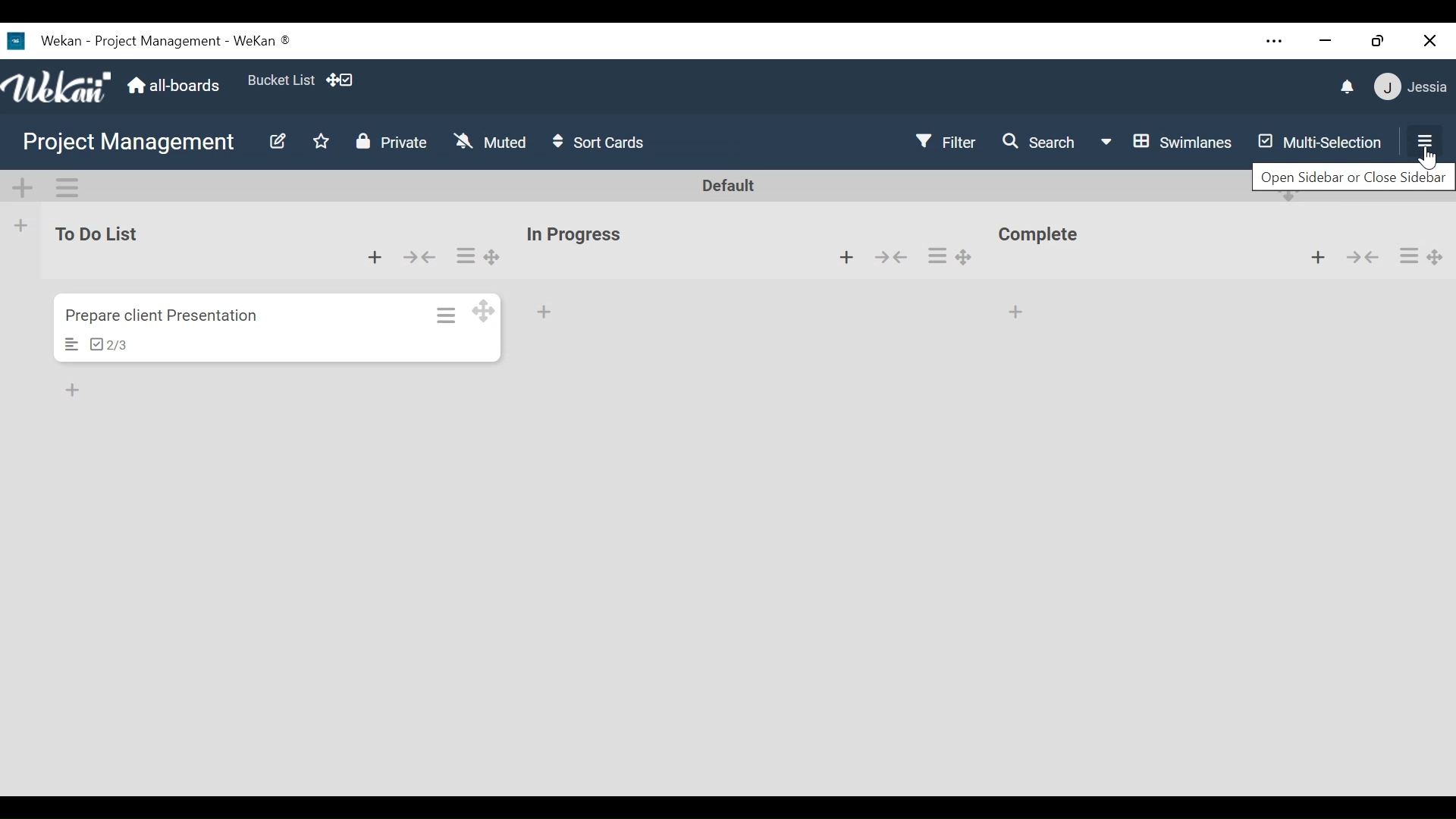 The height and width of the screenshot is (819, 1456). I want to click on Cursor, so click(1426, 158).